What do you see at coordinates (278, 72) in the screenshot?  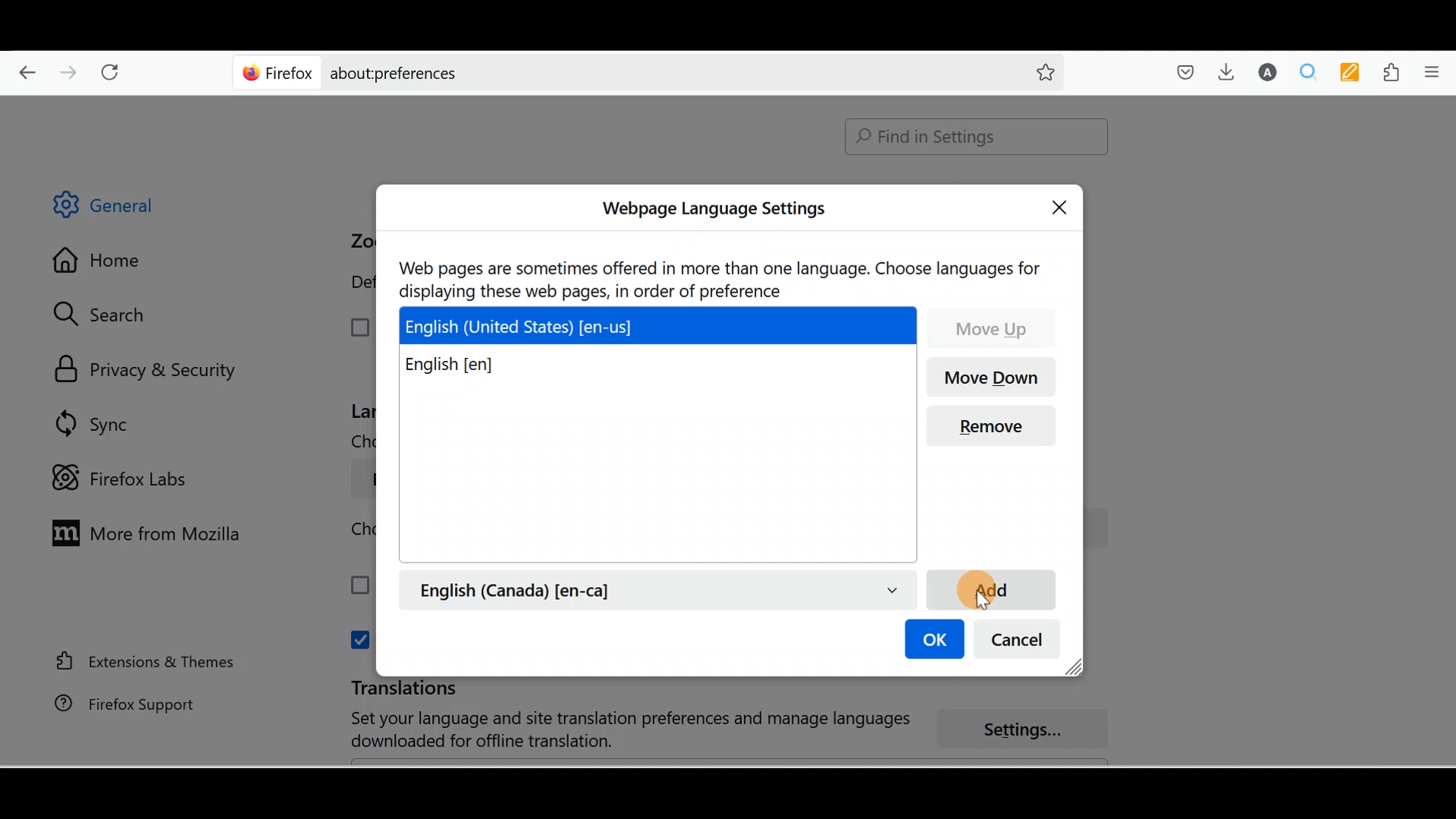 I see `Firefox` at bounding box center [278, 72].